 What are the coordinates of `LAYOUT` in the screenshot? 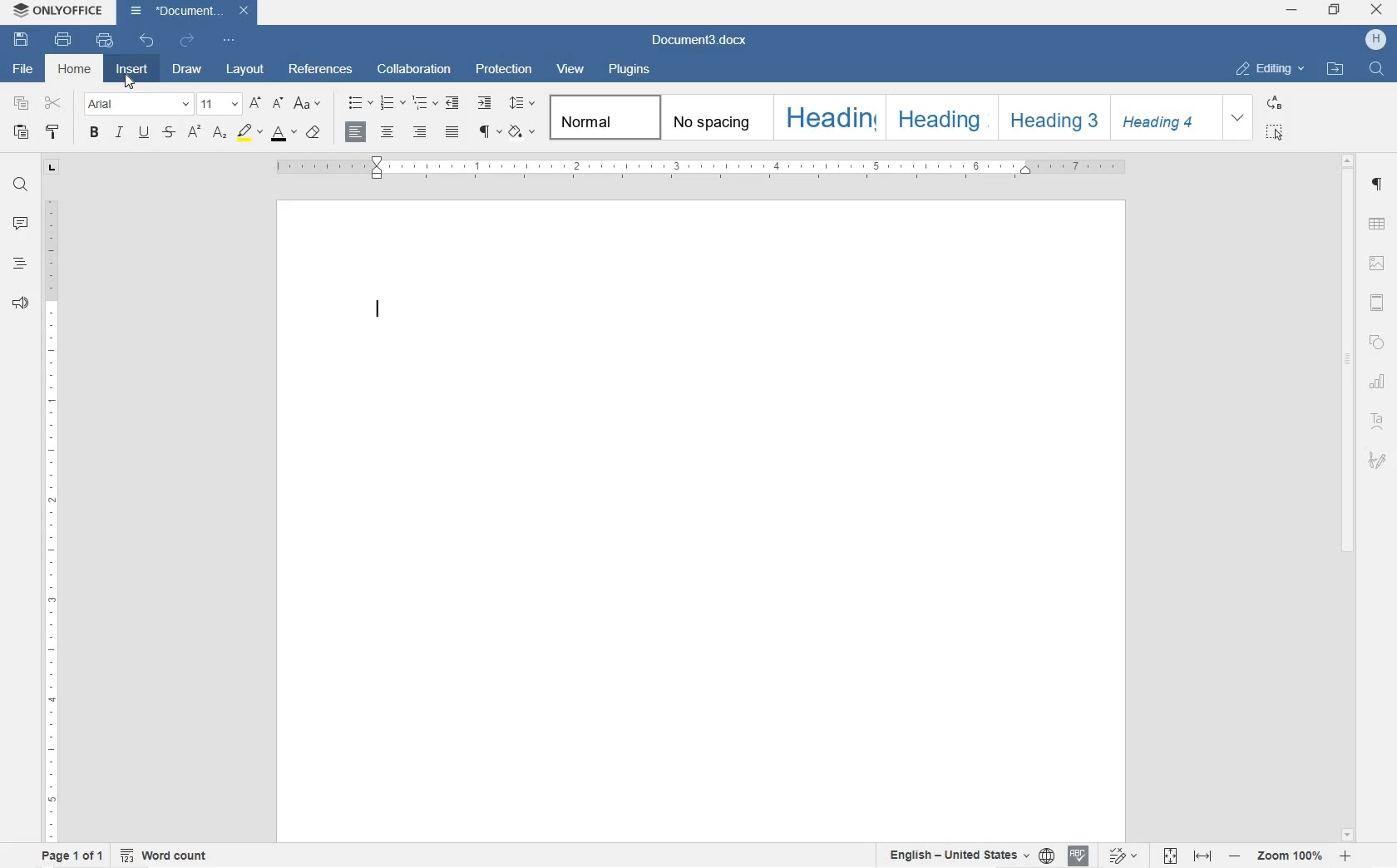 It's located at (246, 71).